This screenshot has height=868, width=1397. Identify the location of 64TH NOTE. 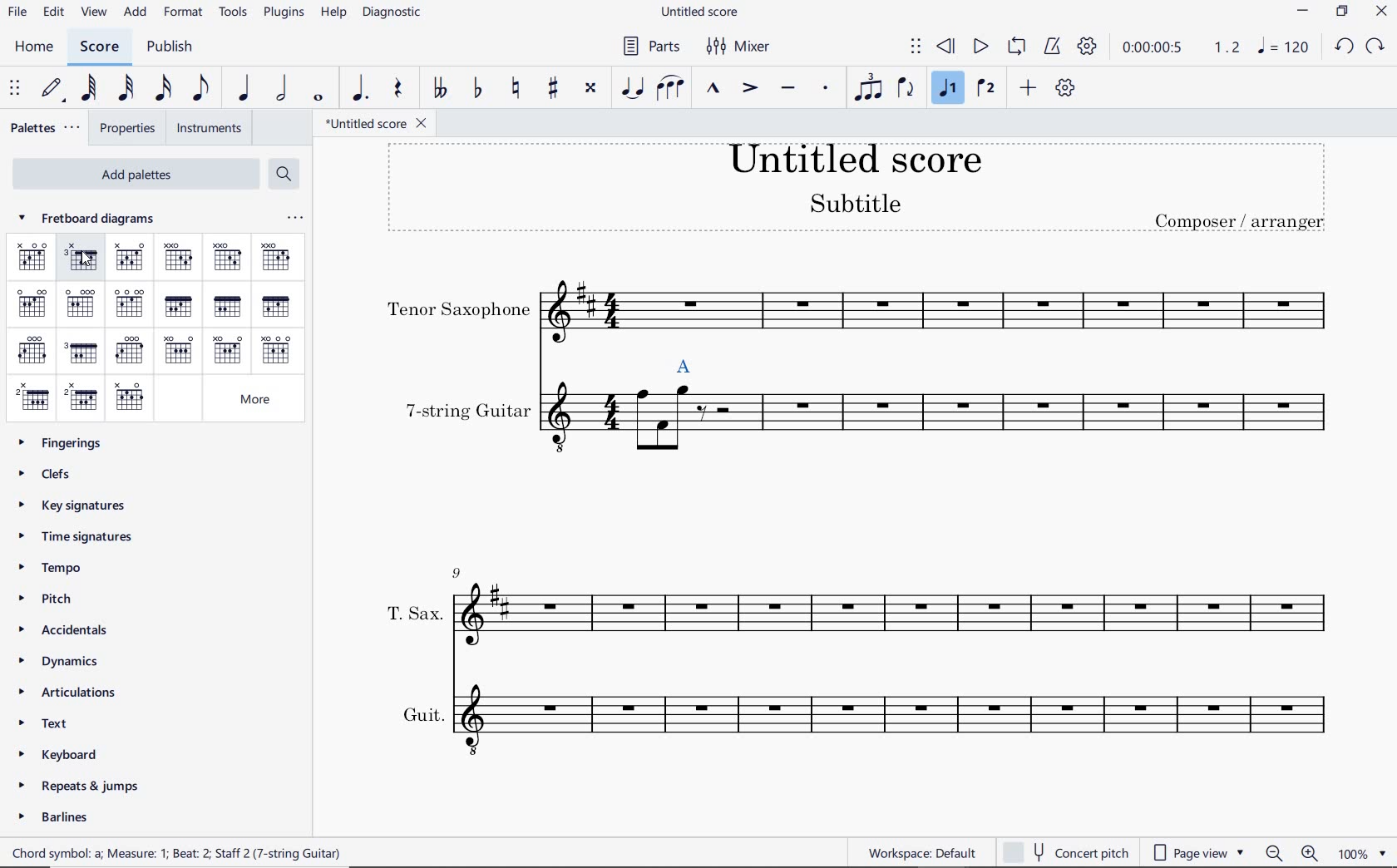
(90, 90).